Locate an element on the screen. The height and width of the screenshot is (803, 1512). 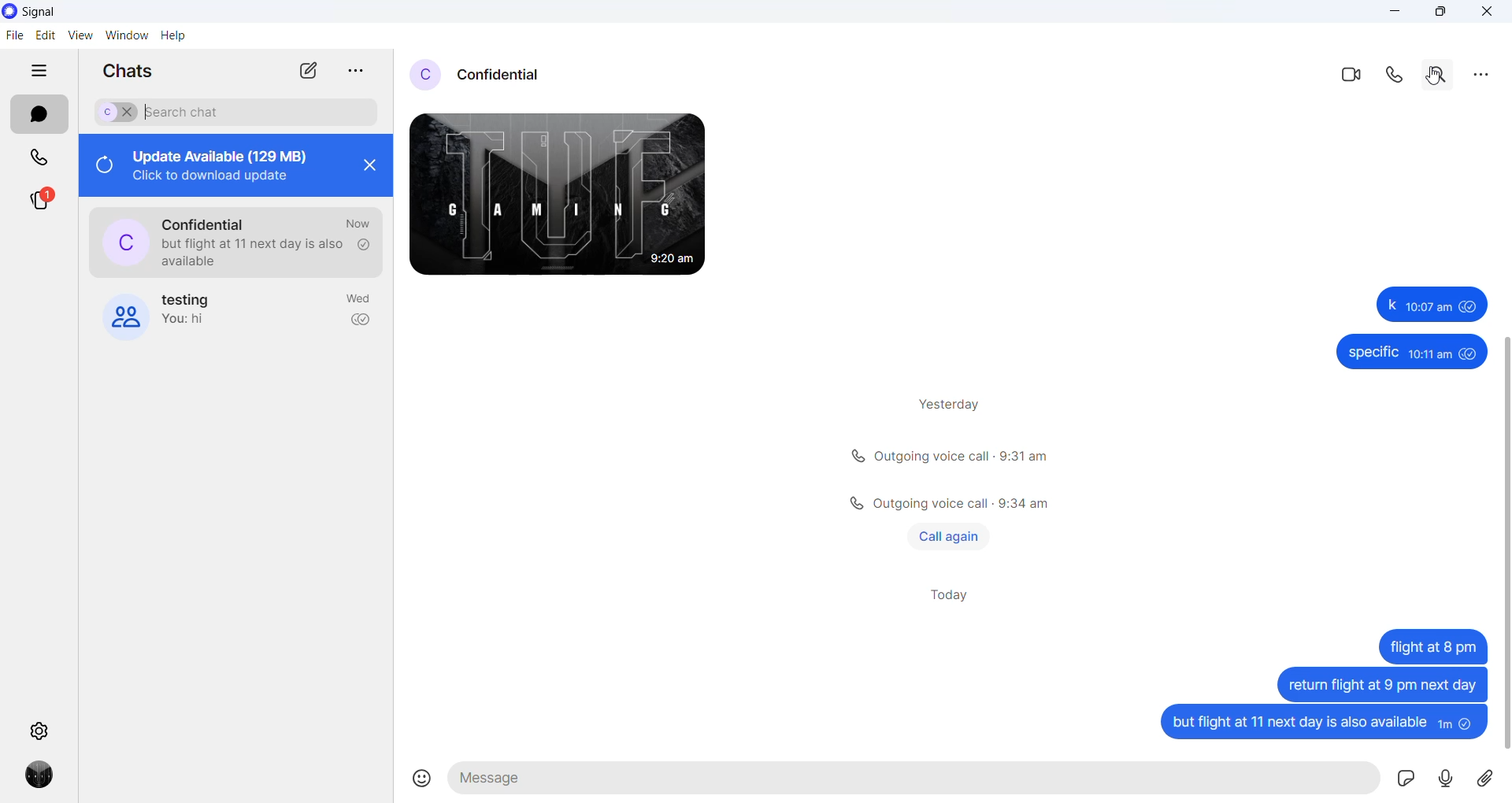
video call is located at coordinates (1355, 73).